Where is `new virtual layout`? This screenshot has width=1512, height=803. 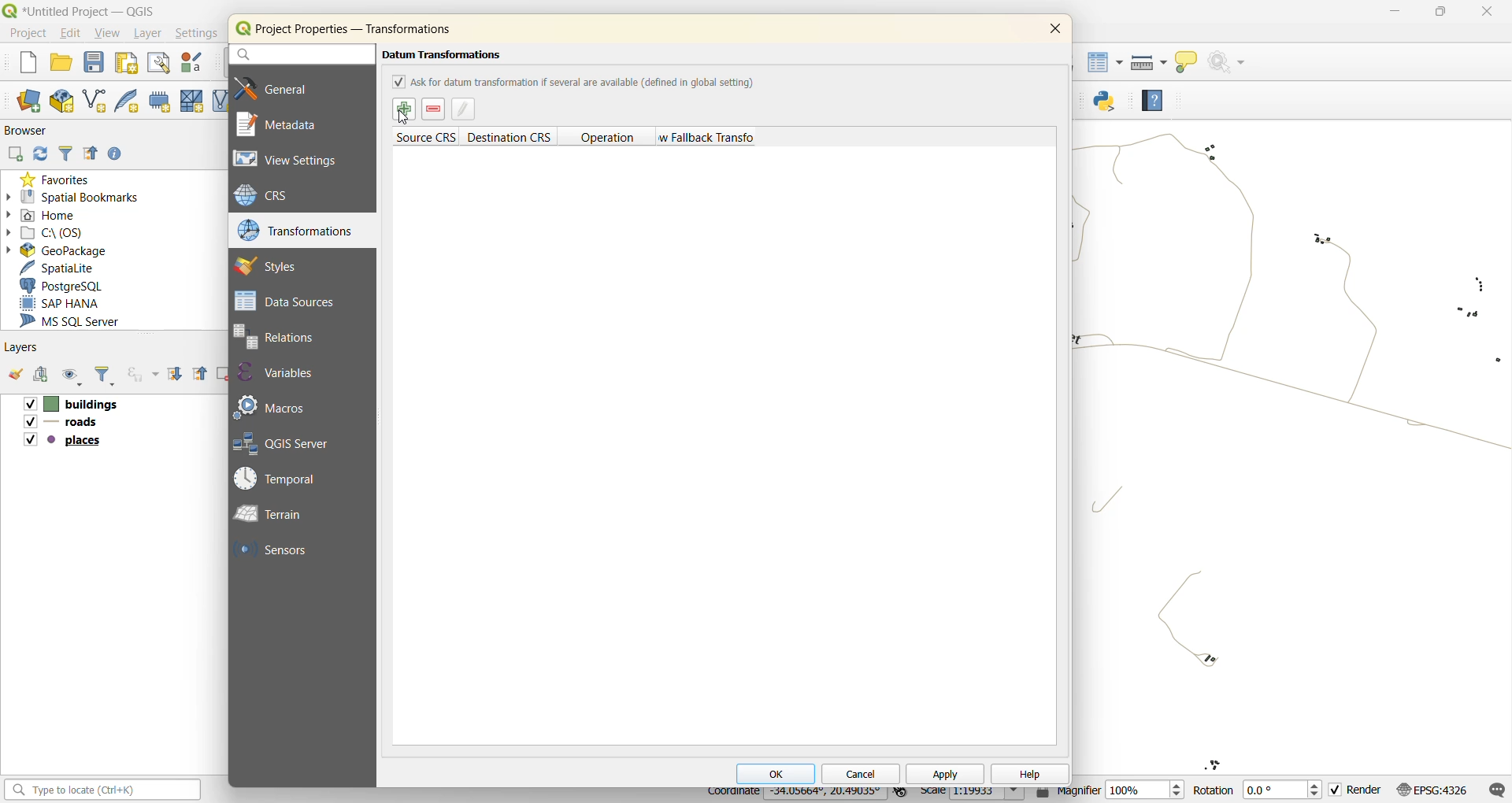 new virtual layout is located at coordinates (220, 102).